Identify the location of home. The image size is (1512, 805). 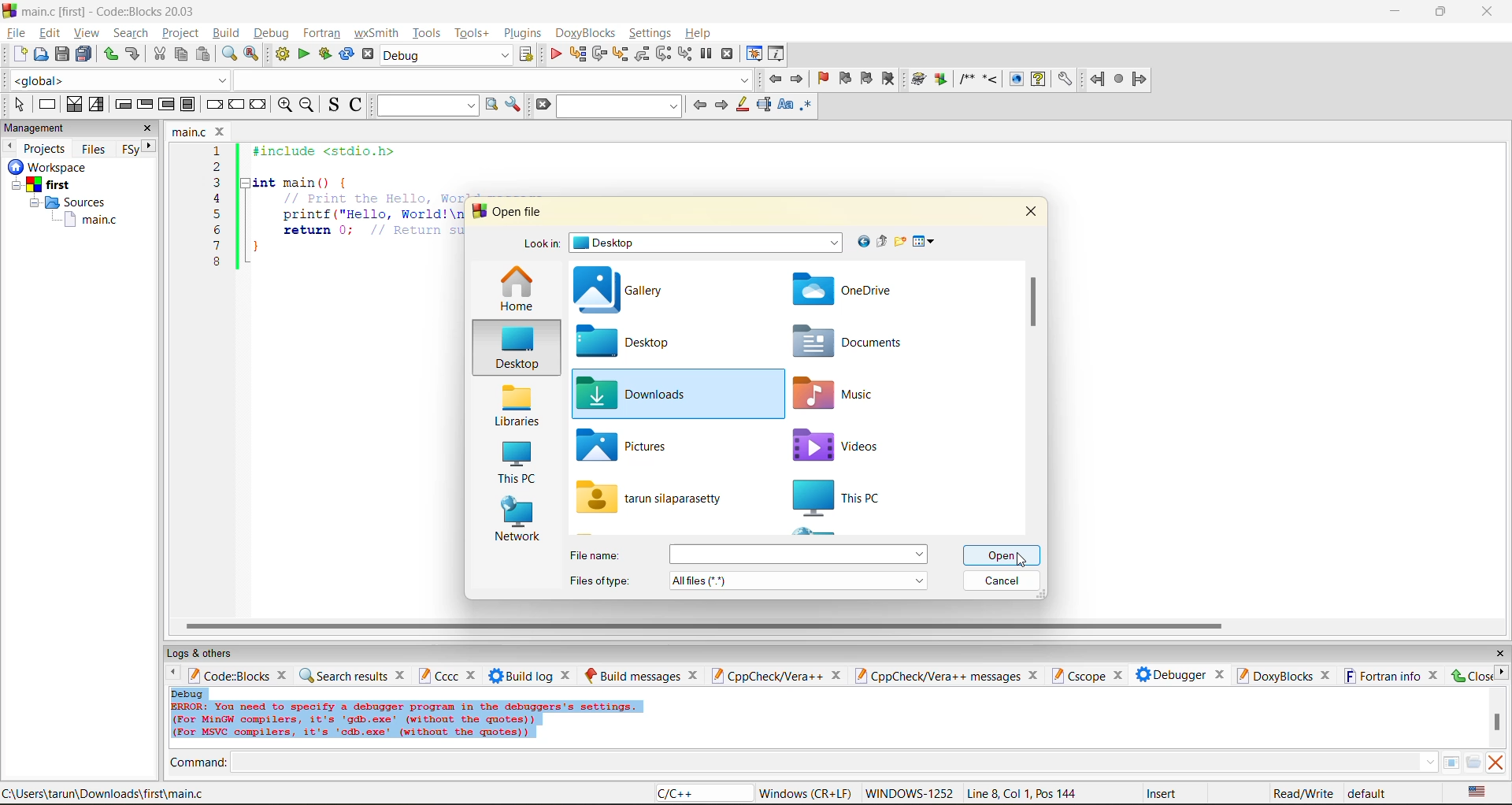
(517, 290).